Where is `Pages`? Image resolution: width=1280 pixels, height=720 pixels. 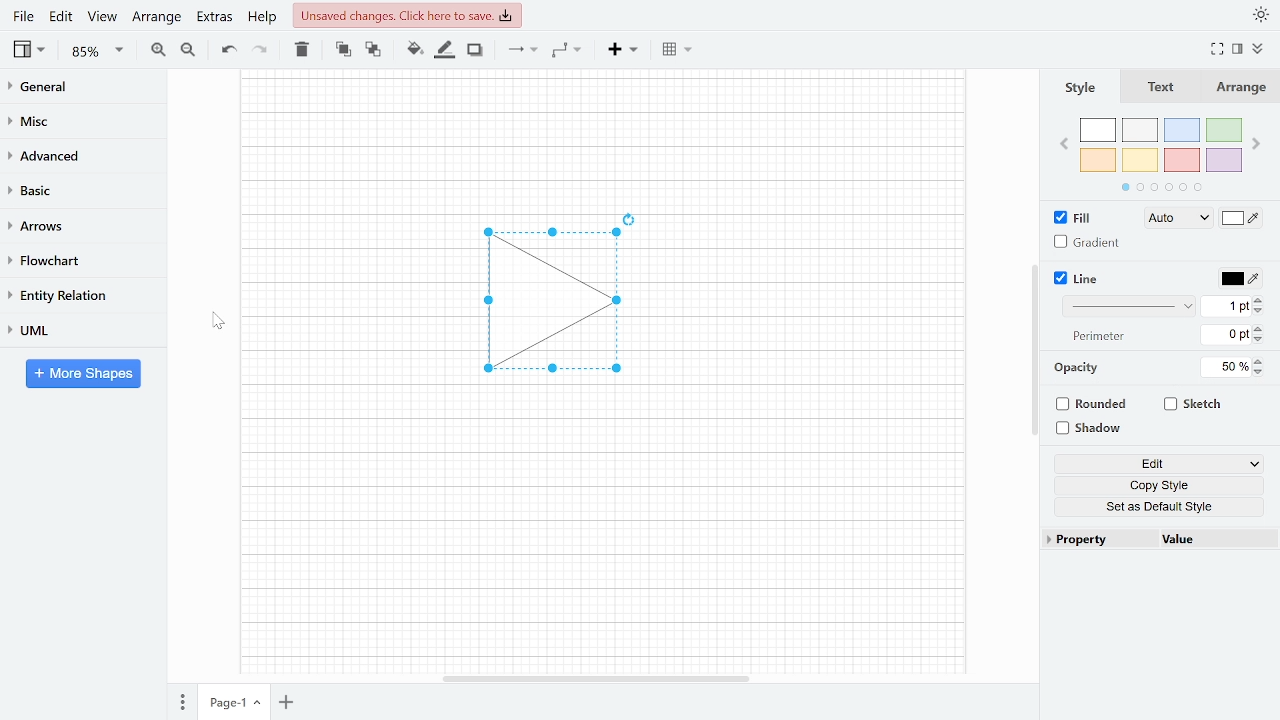 Pages is located at coordinates (181, 704).